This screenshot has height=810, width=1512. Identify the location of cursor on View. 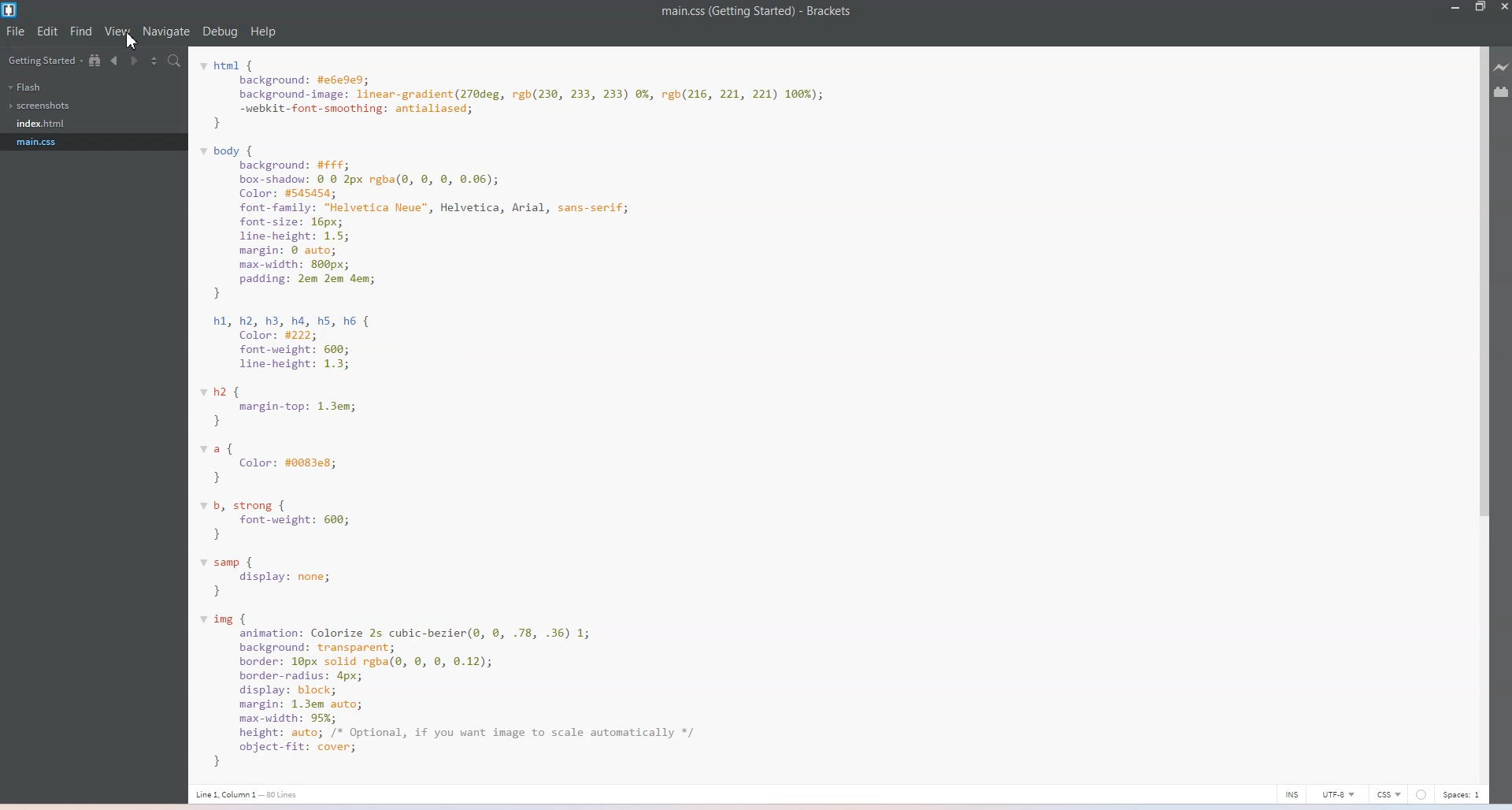
(132, 43).